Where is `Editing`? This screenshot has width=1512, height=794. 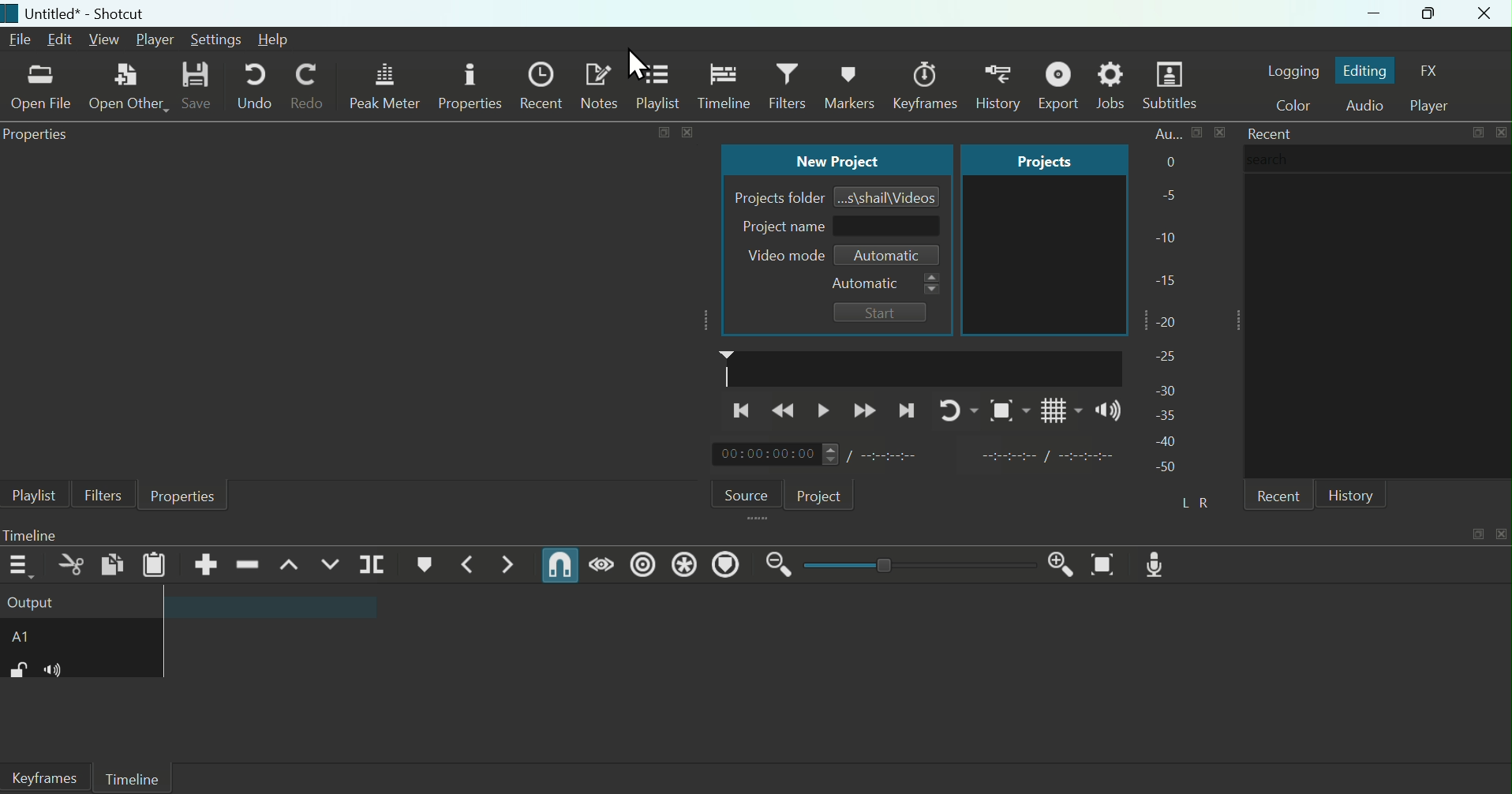
Editing is located at coordinates (1367, 69).